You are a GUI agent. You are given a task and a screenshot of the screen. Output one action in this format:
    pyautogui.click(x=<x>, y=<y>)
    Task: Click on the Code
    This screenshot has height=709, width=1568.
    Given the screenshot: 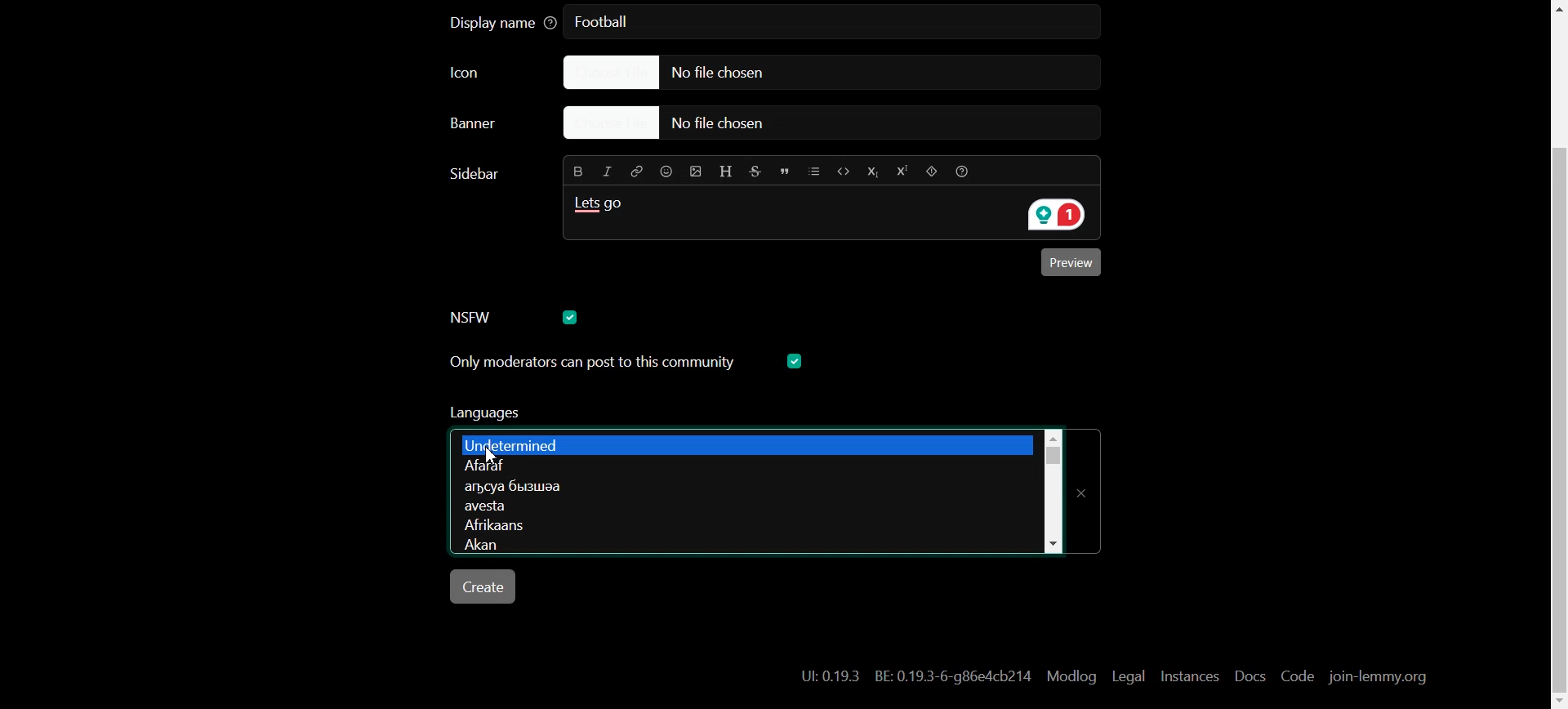 What is the action you would take?
    pyautogui.click(x=842, y=170)
    